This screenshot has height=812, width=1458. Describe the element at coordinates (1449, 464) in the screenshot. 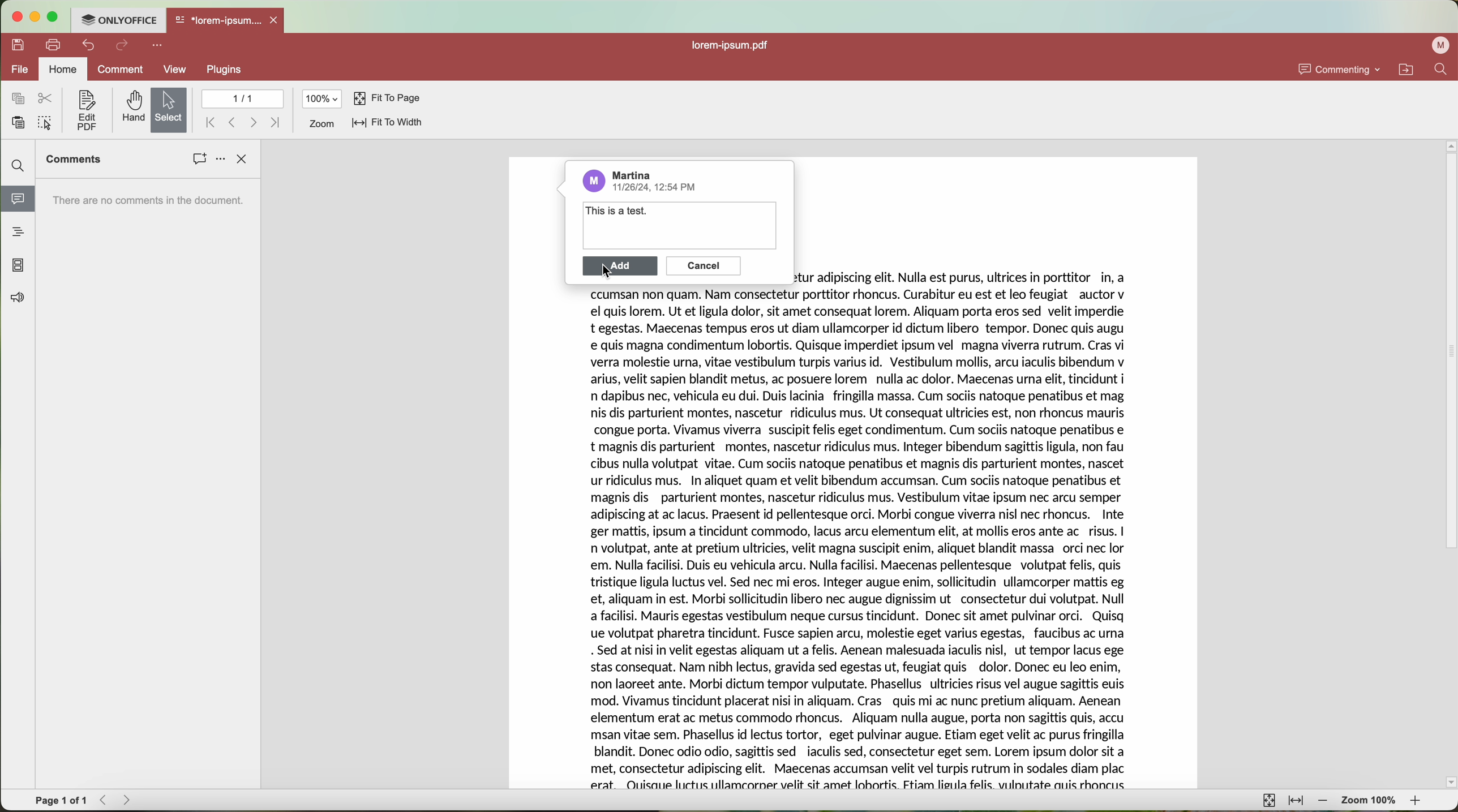

I see `scroll bar` at that location.